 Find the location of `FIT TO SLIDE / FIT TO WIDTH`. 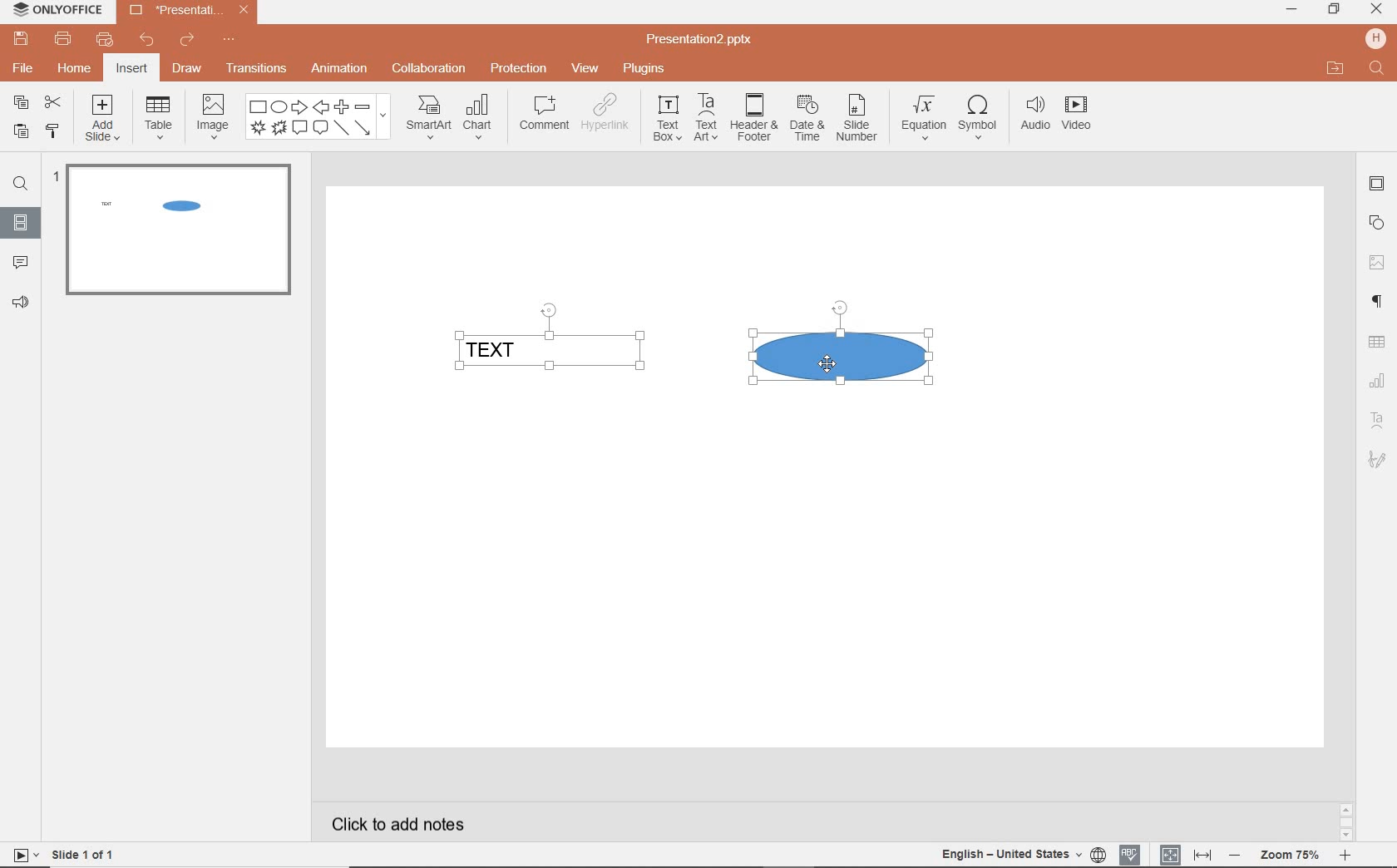

FIT TO SLIDE / FIT TO WIDTH is located at coordinates (1187, 853).